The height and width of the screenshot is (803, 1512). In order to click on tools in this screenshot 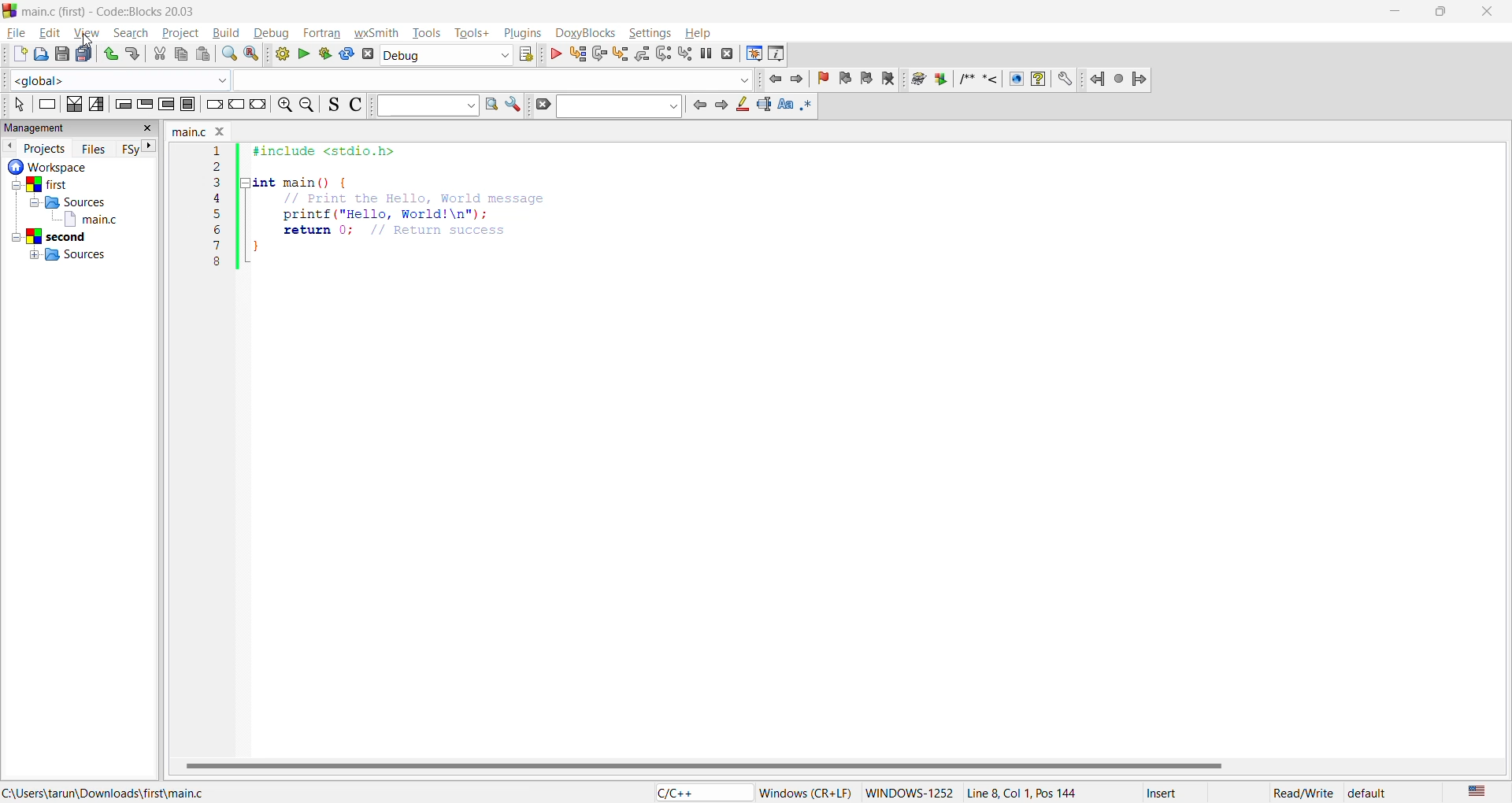, I will do `click(428, 33)`.